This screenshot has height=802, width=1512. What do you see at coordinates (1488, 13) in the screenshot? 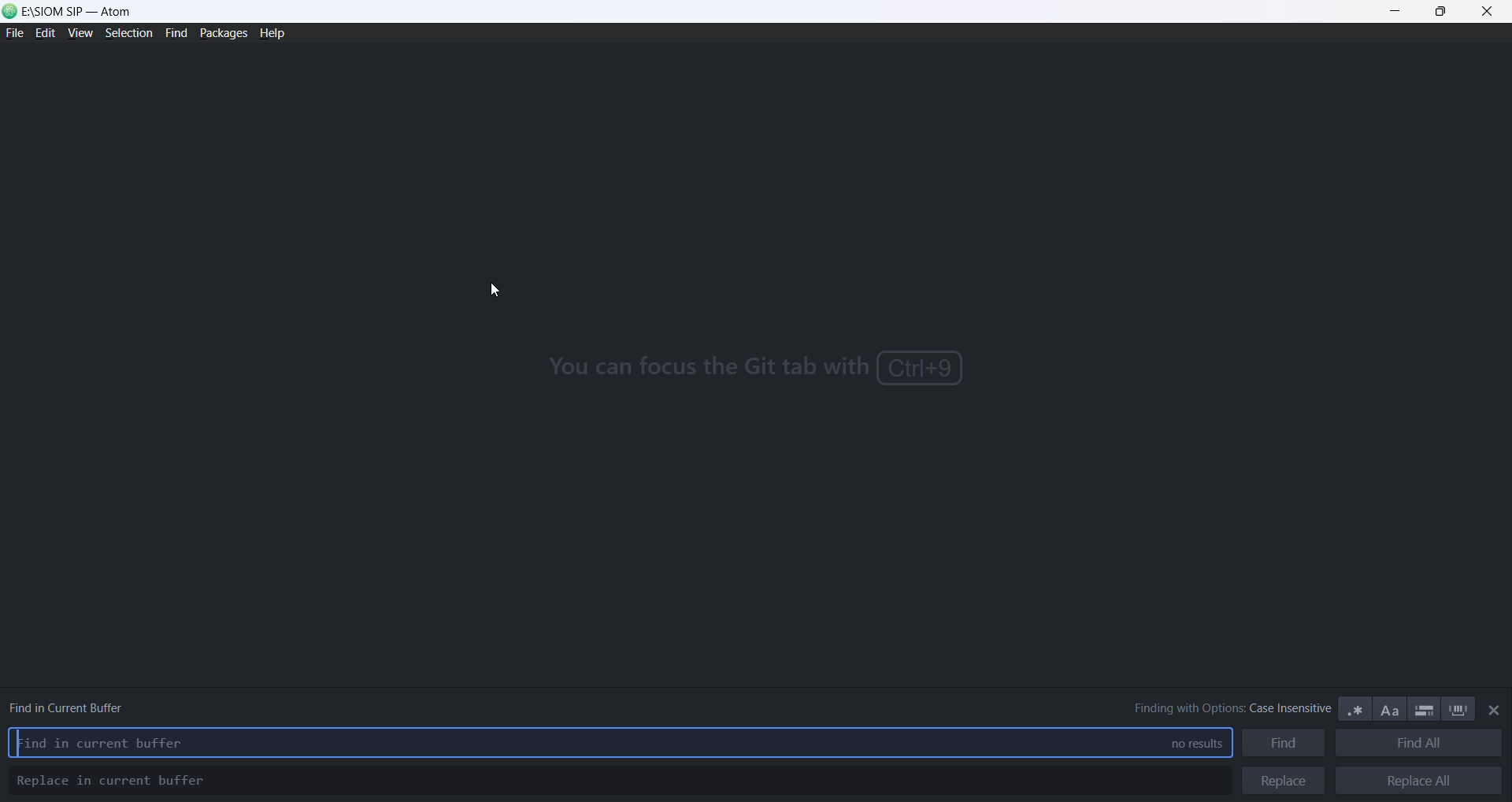
I see `close` at bounding box center [1488, 13].